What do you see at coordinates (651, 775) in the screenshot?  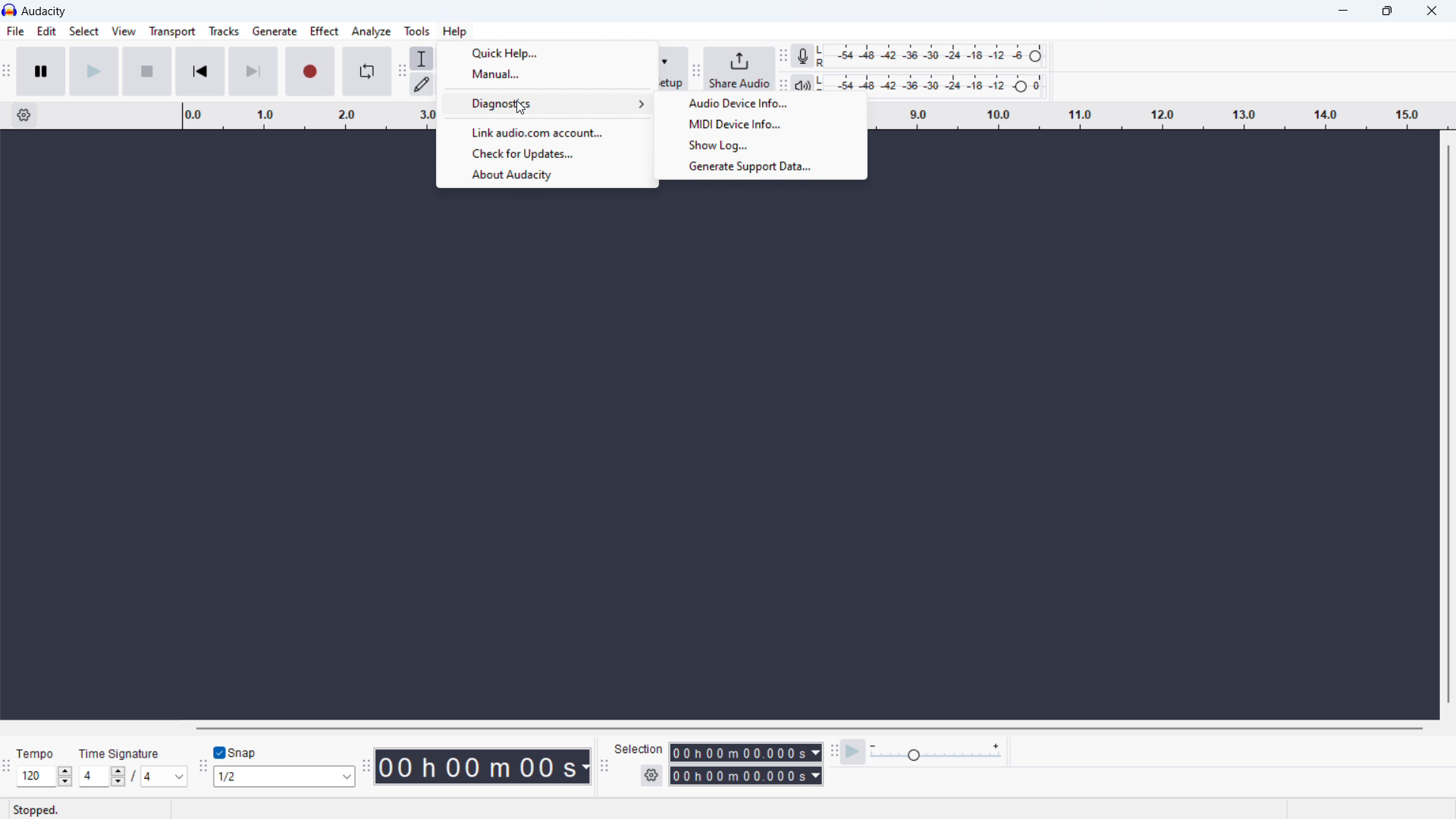 I see `settings` at bounding box center [651, 775].